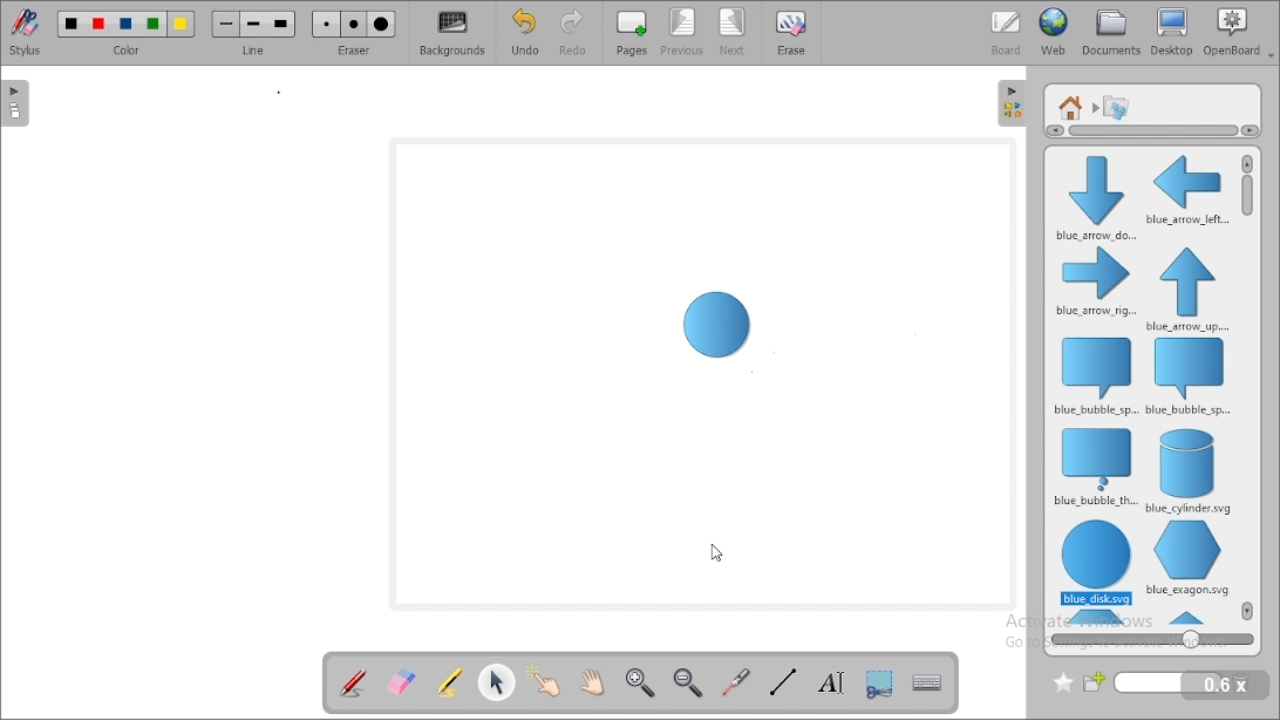 Image resolution: width=1280 pixels, height=720 pixels. What do you see at coordinates (1152, 639) in the screenshot?
I see `zoom in & out of shapes` at bounding box center [1152, 639].